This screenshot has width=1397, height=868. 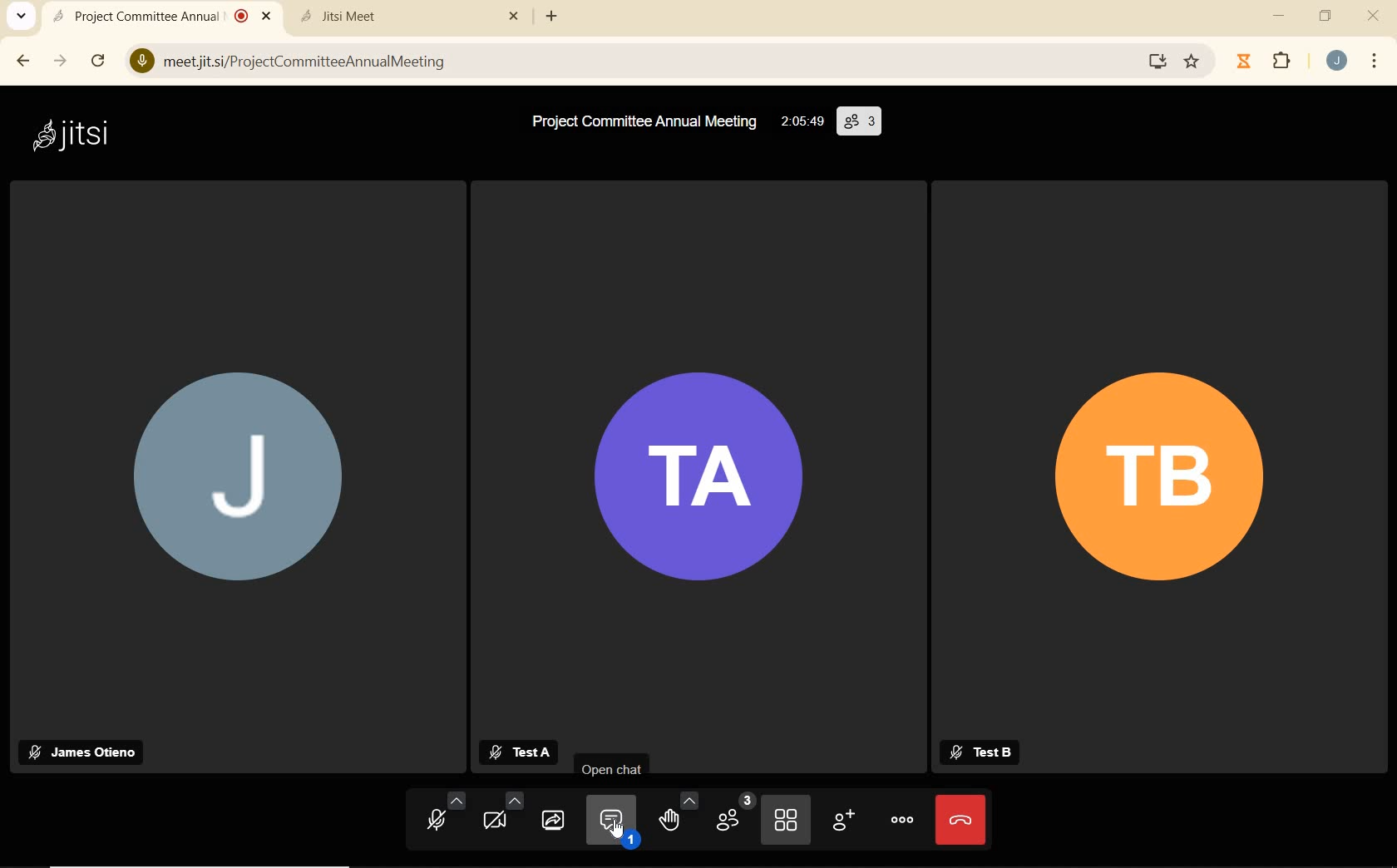 I want to click on camera, so click(x=503, y=811).